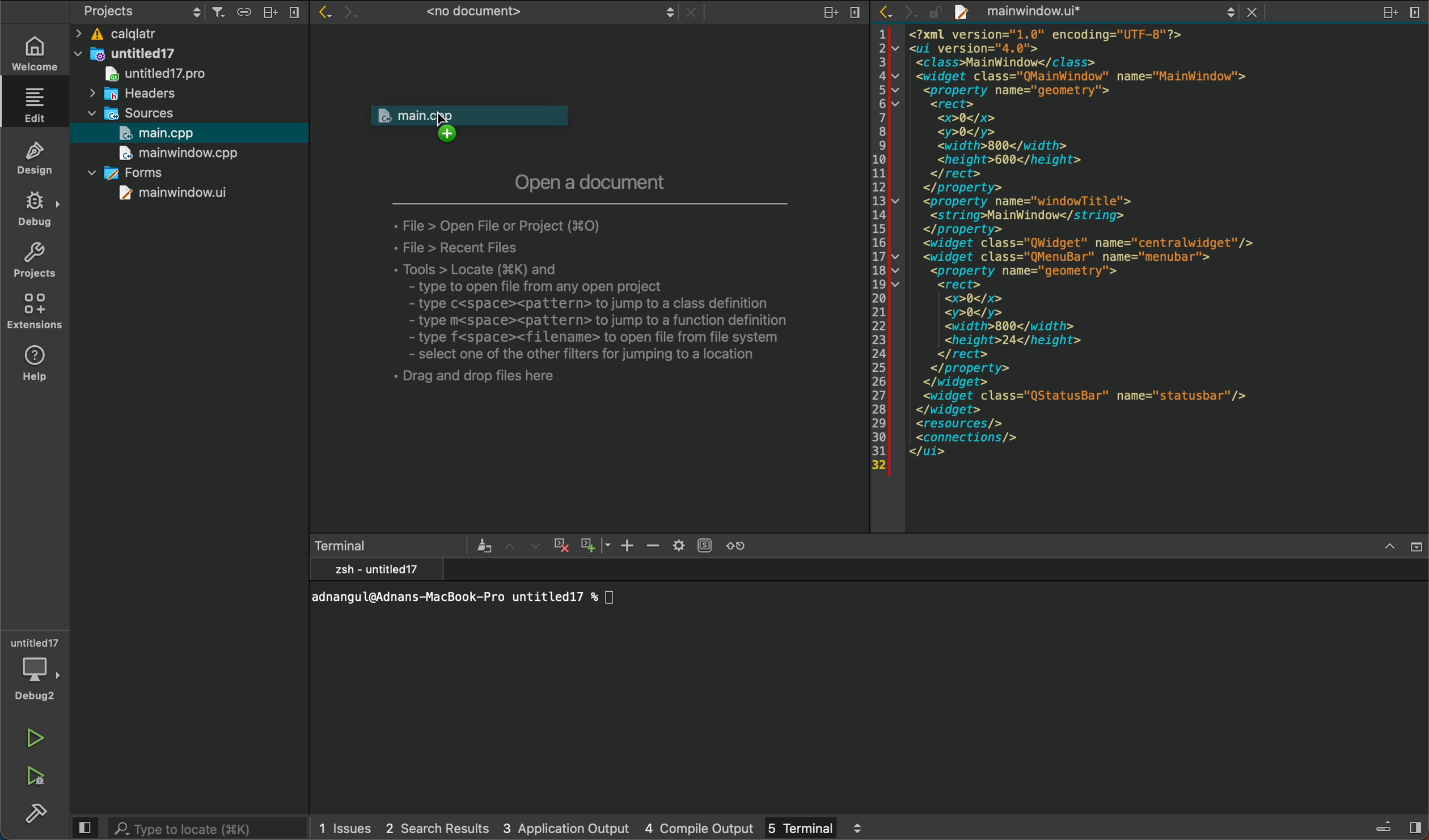 The image size is (1429, 840). What do you see at coordinates (1258, 12) in the screenshot?
I see `close document` at bounding box center [1258, 12].